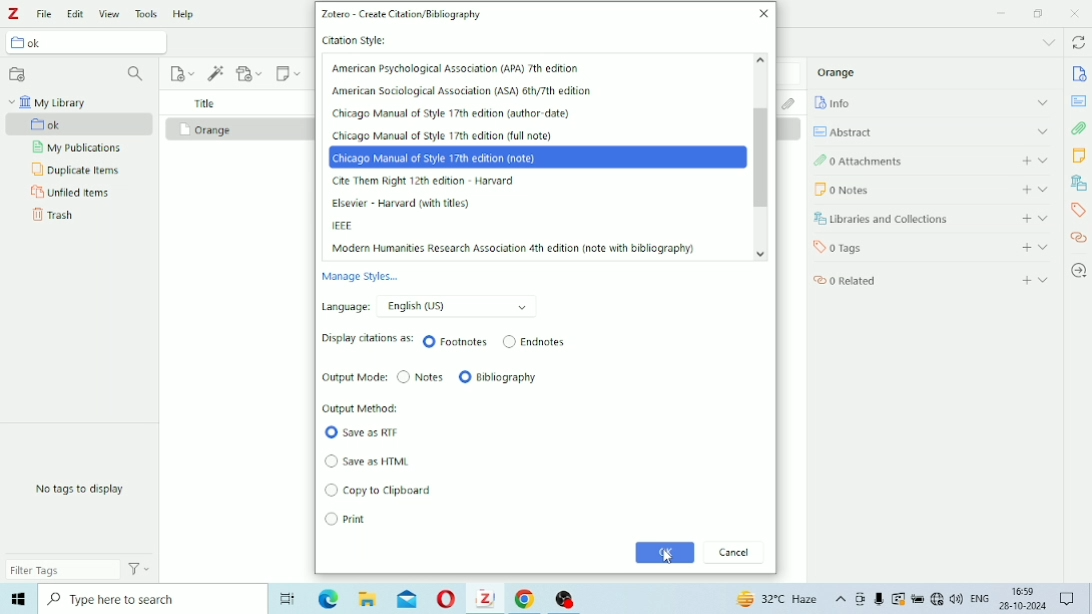 The width and height of the screenshot is (1092, 614). I want to click on Modern Humanities Research Association 4th edition (note with biliography), so click(512, 249).